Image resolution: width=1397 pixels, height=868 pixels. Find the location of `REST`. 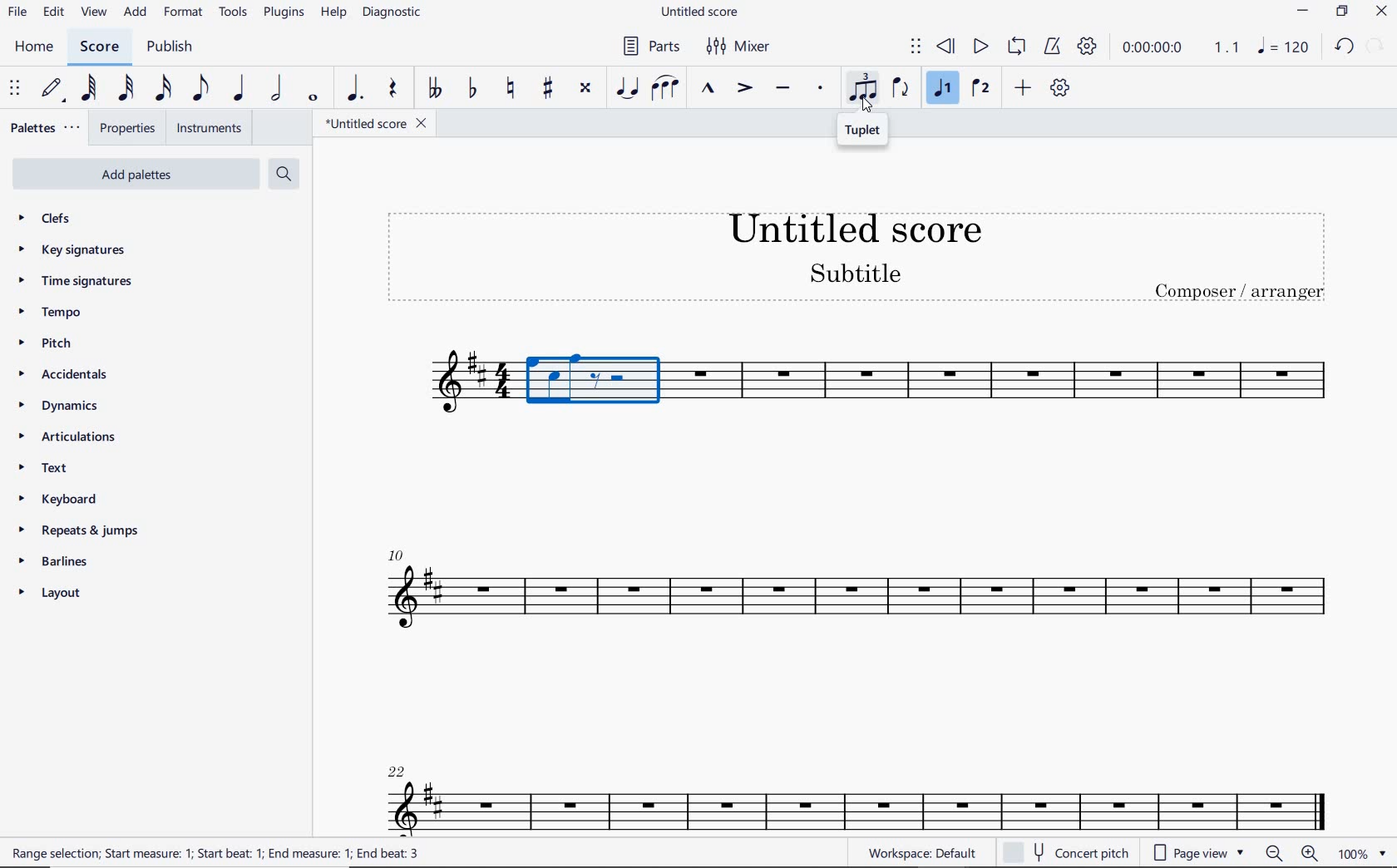

REST is located at coordinates (391, 90).